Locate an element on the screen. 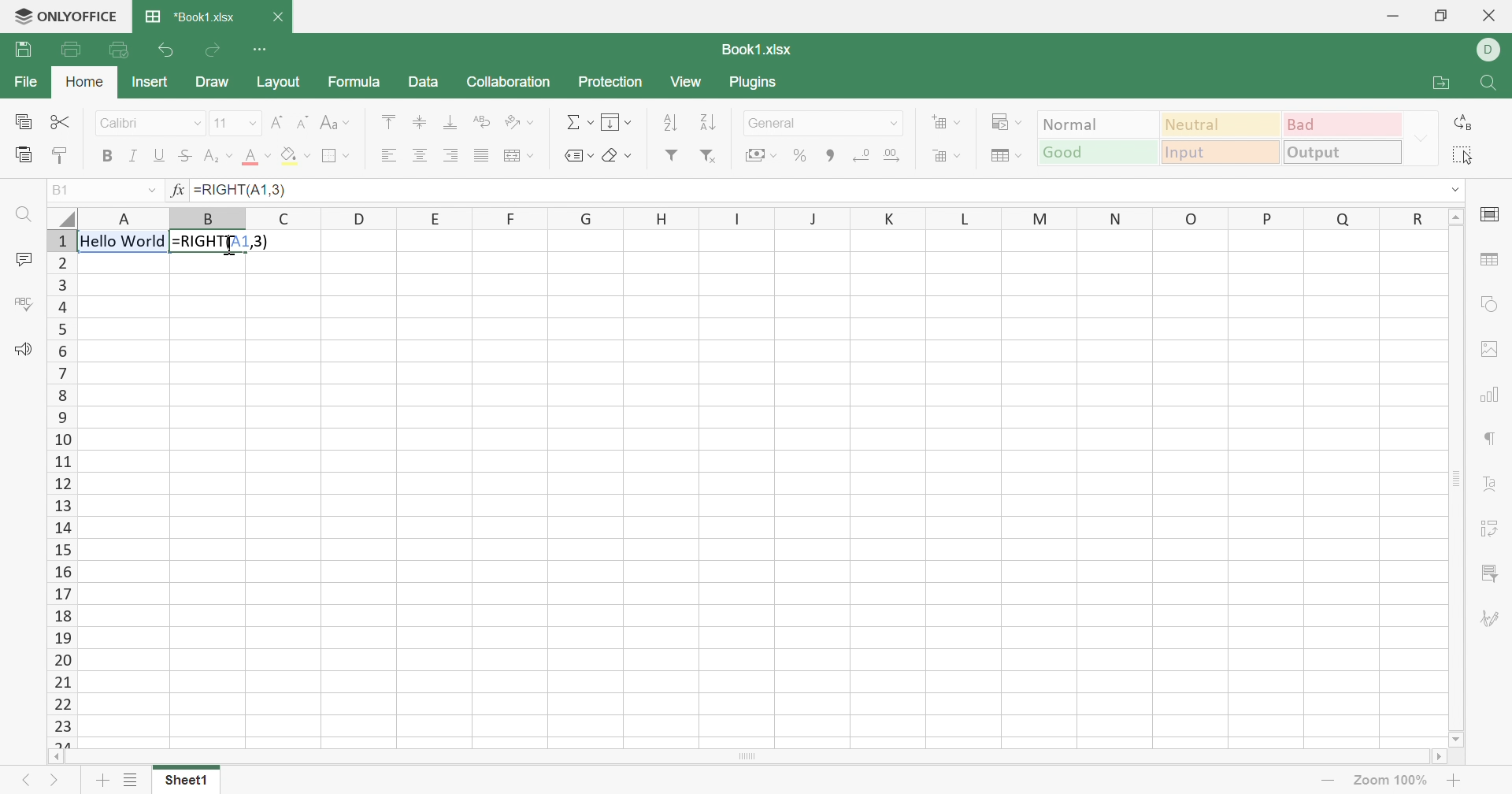  Scroll Up is located at coordinates (1451, 217).